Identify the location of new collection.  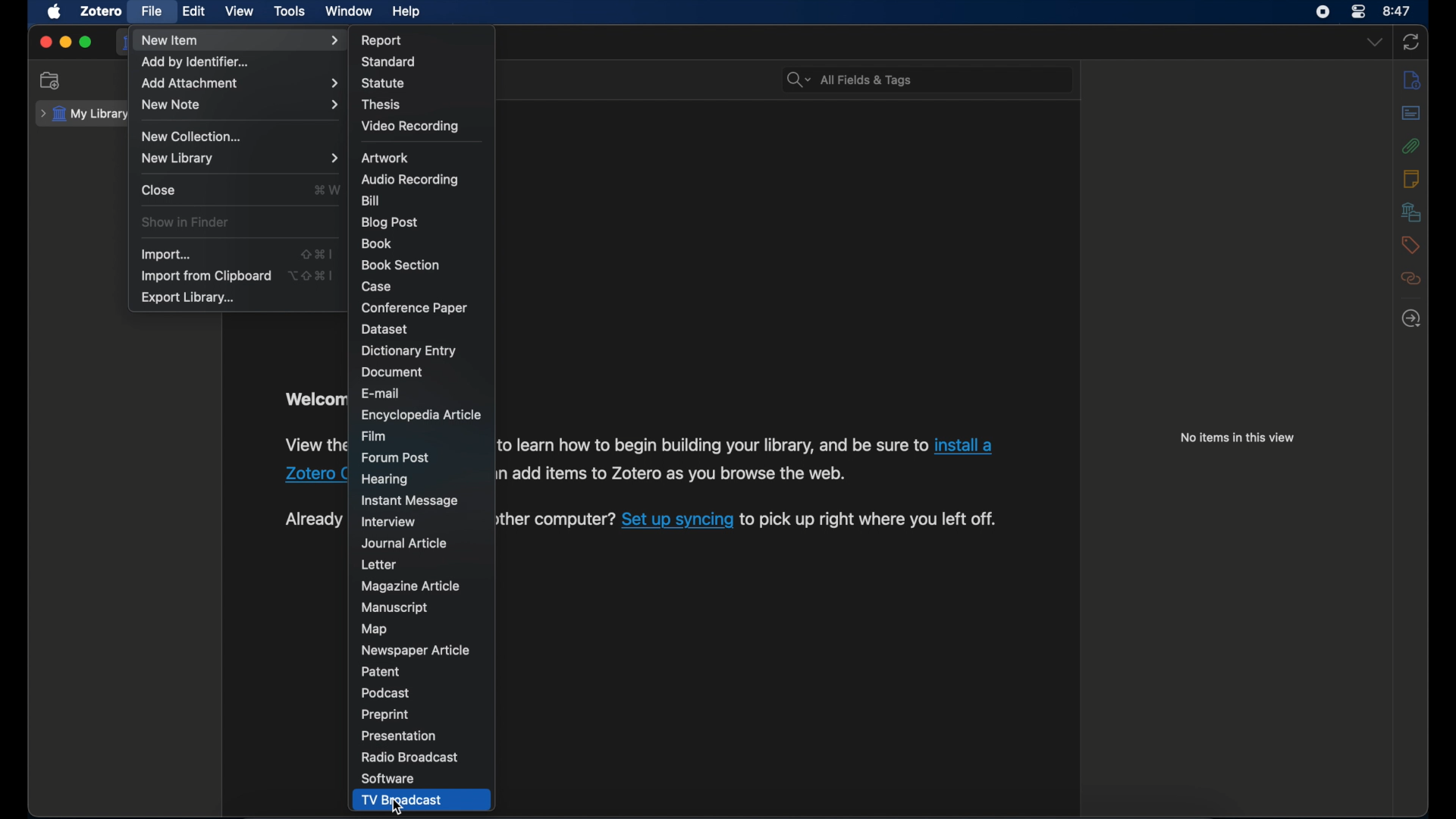
(193, 136).